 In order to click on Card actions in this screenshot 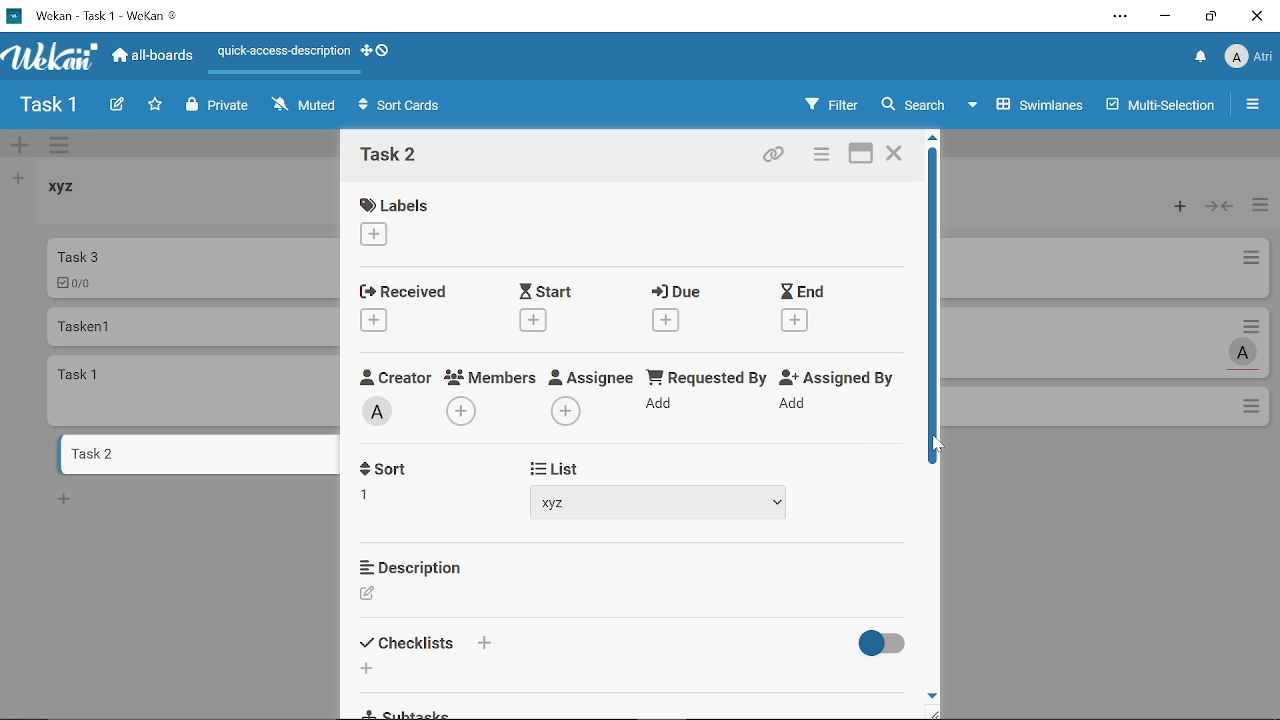, I will do `click(1256, 325)`.